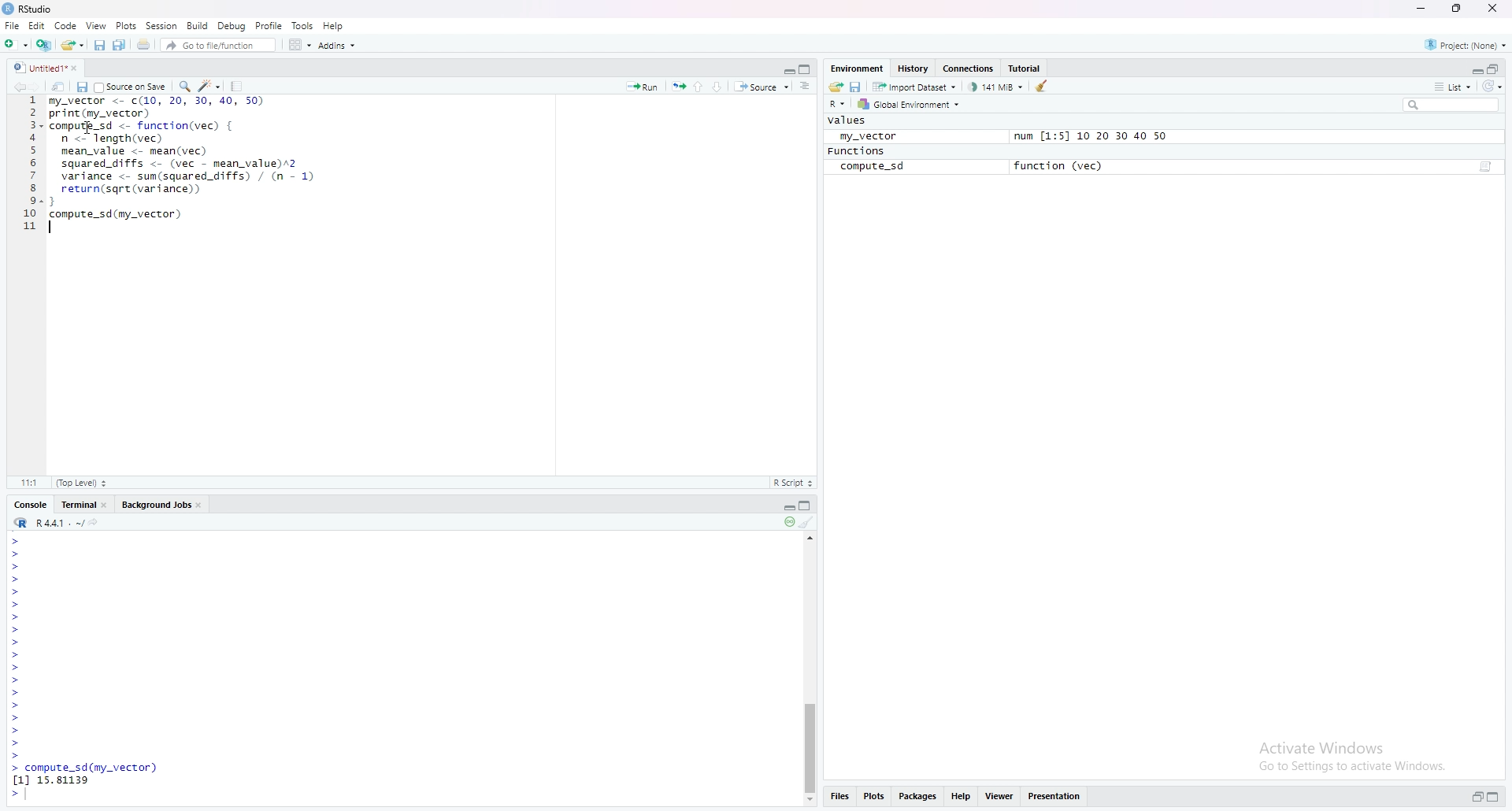  Describe the element at coordinates (1045, 85) in the screenshot. I see `Clear objects from the workspace` at that location.